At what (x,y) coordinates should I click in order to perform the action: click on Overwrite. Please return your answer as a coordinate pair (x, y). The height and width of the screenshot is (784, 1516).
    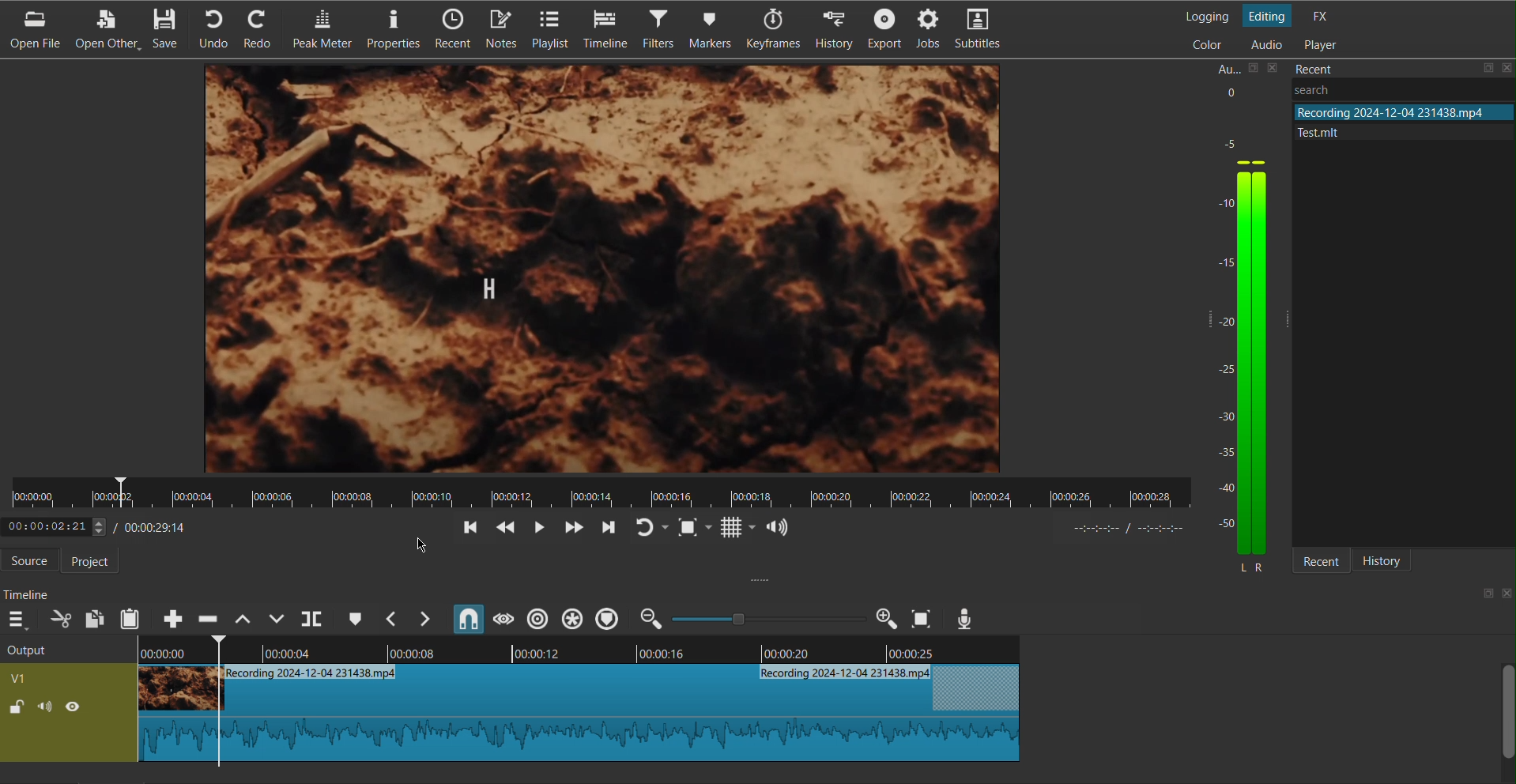
    Looking at the image, I should click on (277, 618).